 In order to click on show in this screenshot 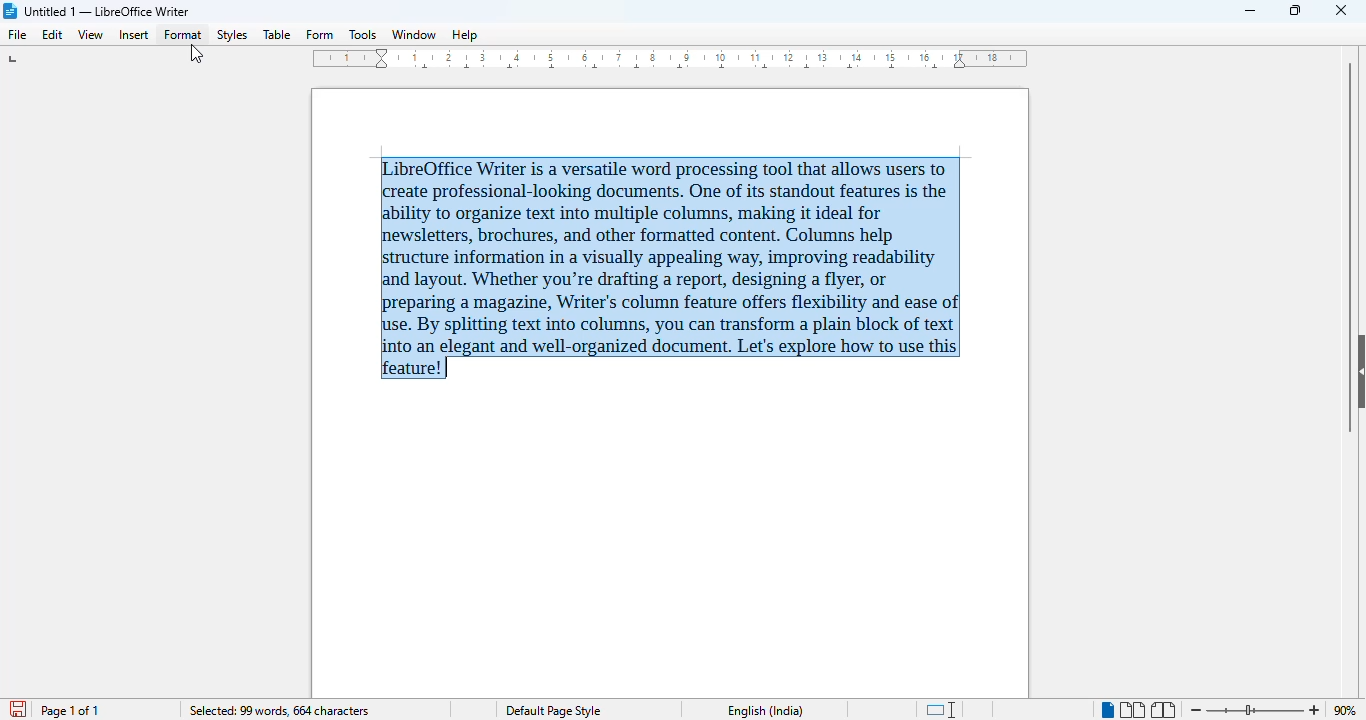, I will do `click(1357, 370)`.